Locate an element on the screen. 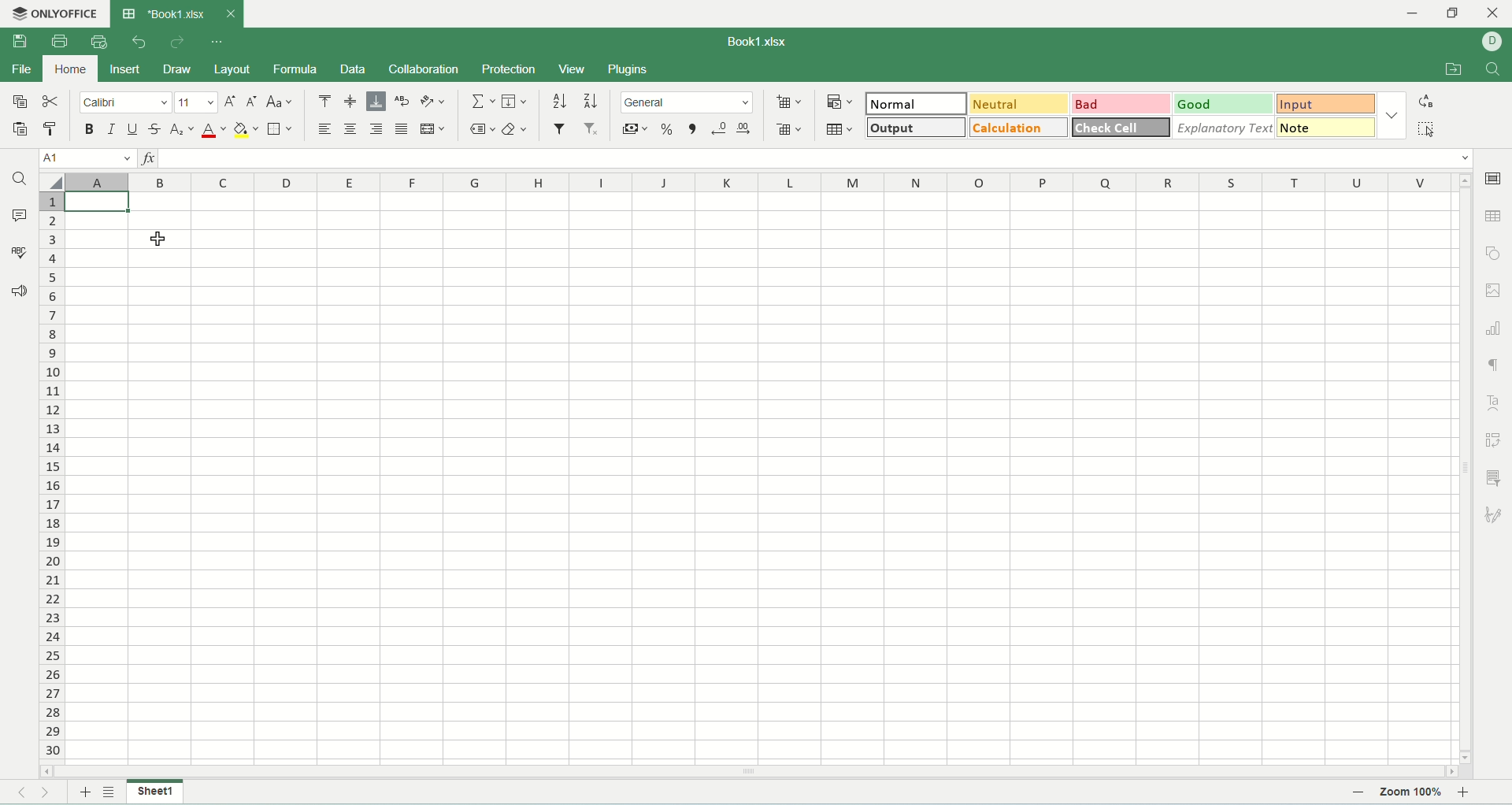  list of sheet is located at coordinates (109, 792).